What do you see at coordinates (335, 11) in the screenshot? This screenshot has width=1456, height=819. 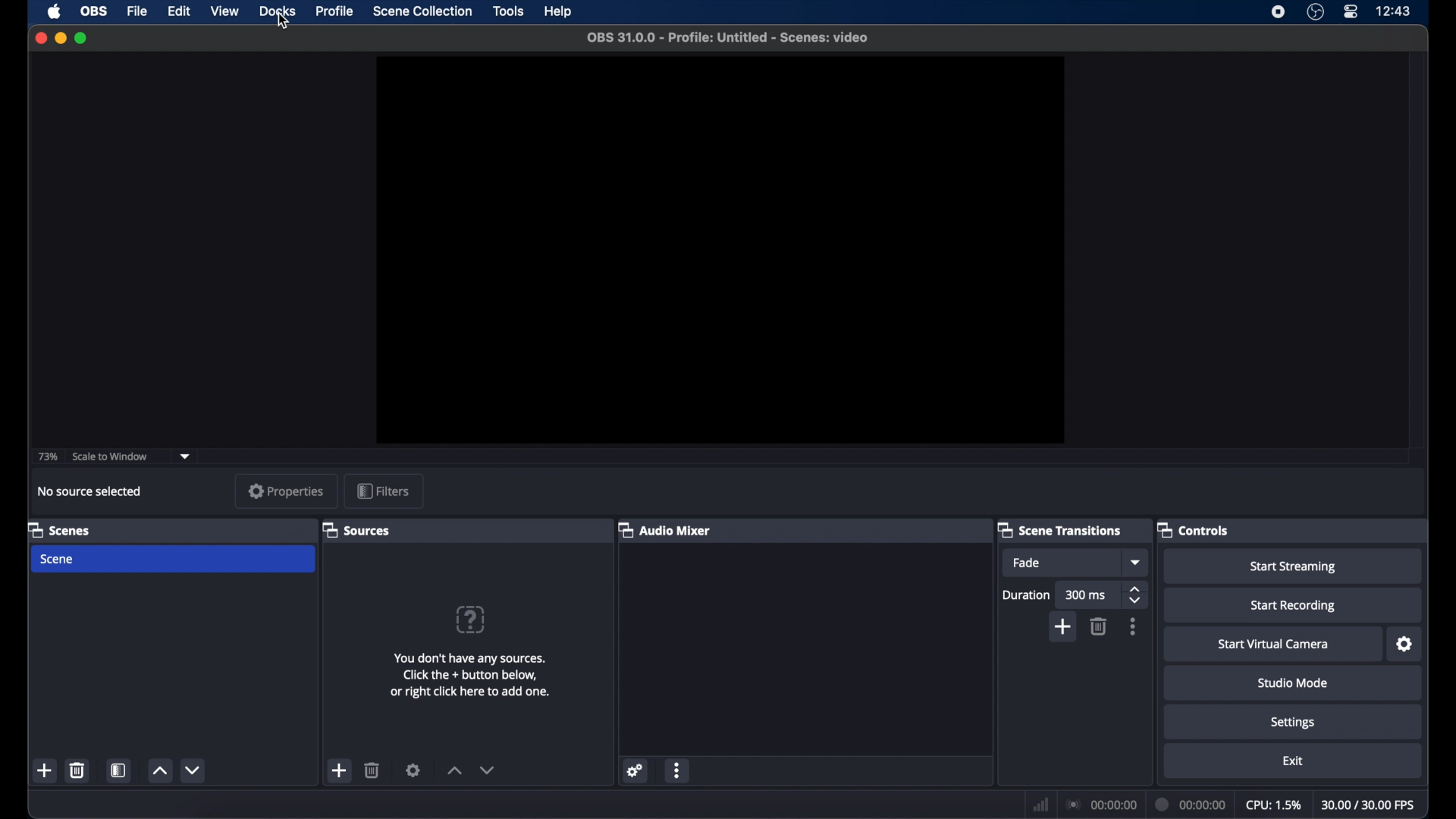 I see `profile` at bounding box center [335, 11].